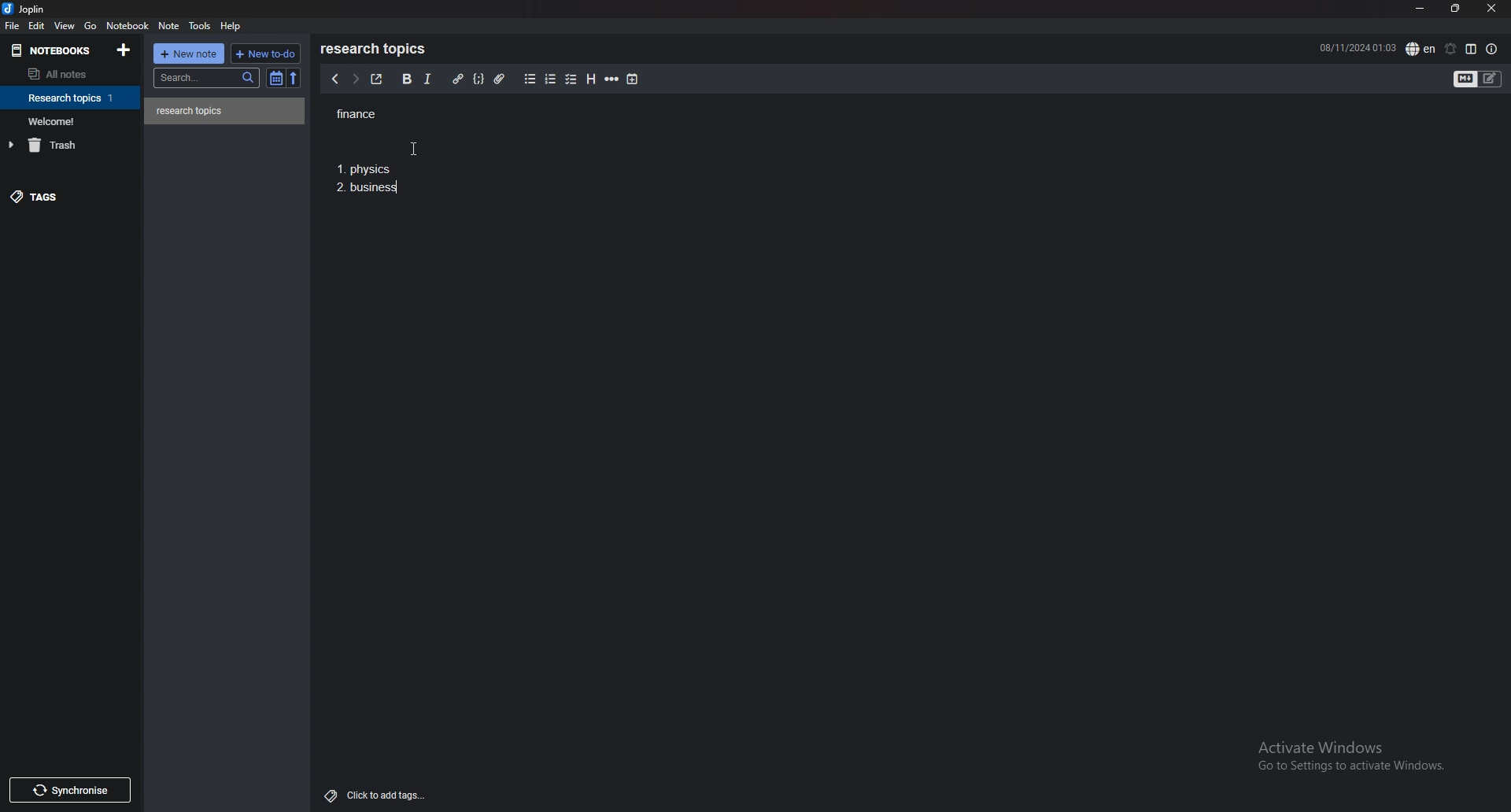 This screenshot has height=812, width=1511. What do you see at coordinates (335, 80) in the screenshot?
I see `previous` at bounding box center [335, 80].